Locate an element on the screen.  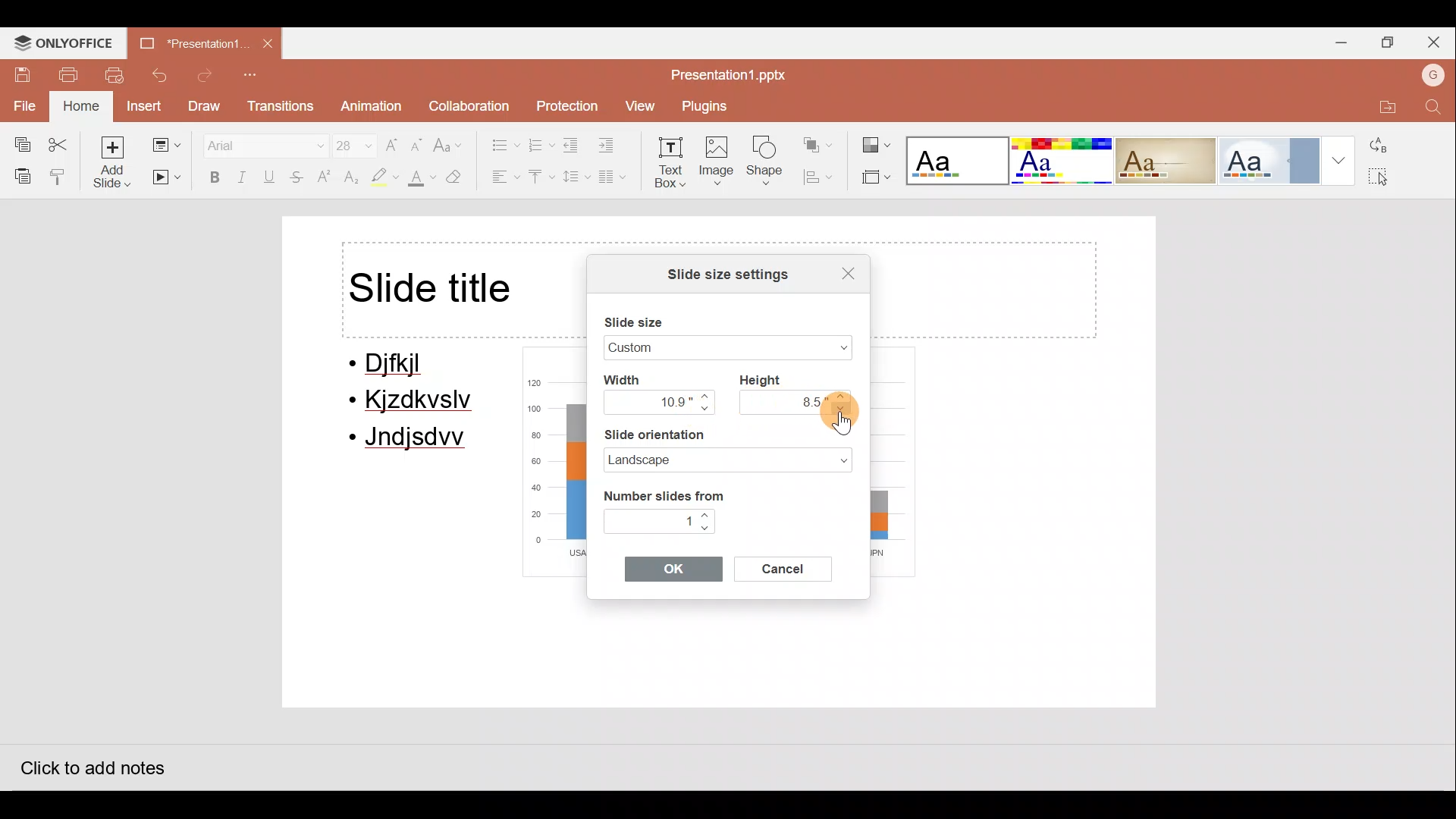
Presentation1.pptx is located at coordinates (725, 76).